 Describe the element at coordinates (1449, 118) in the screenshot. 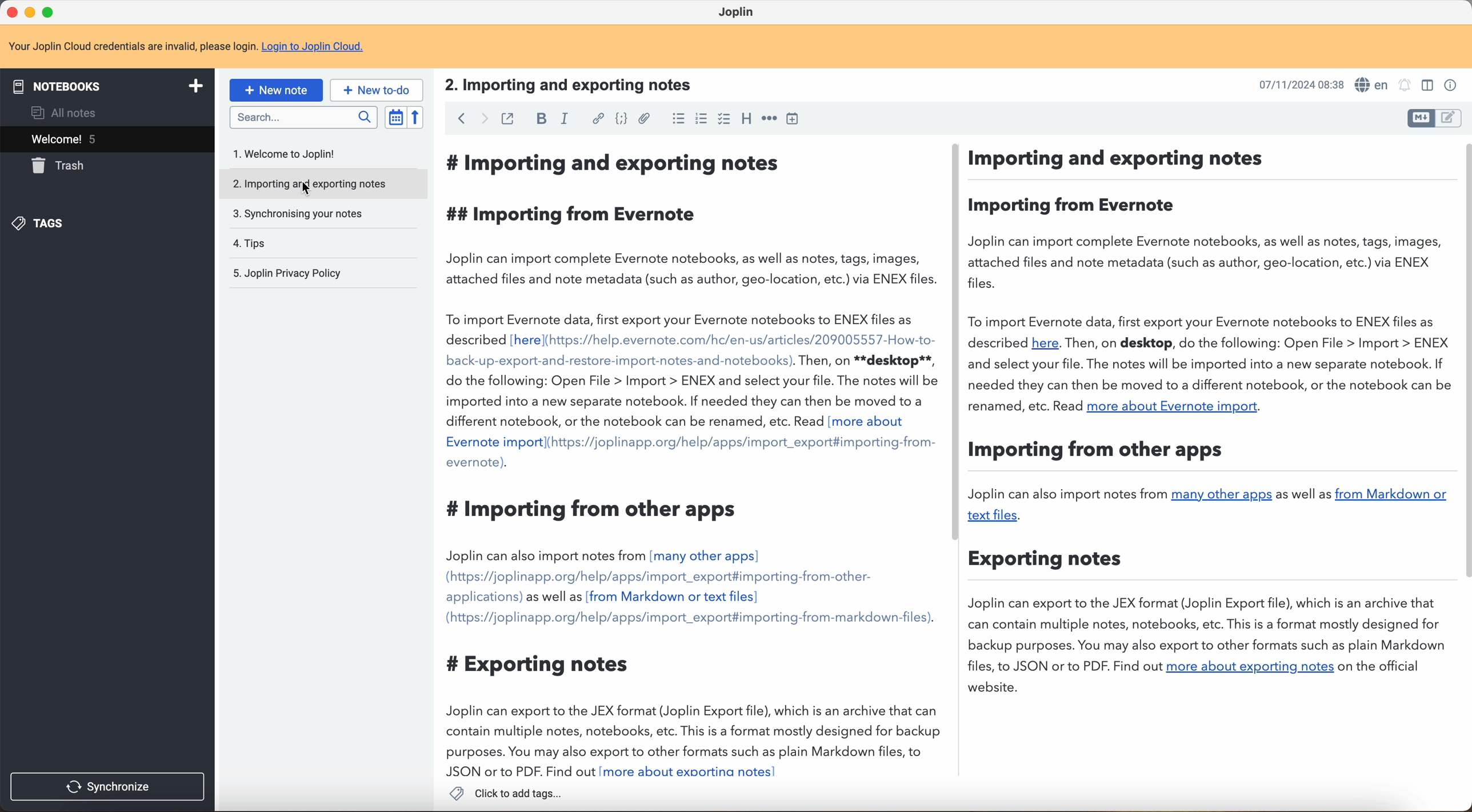

I see `toggle editor layout` at that location.